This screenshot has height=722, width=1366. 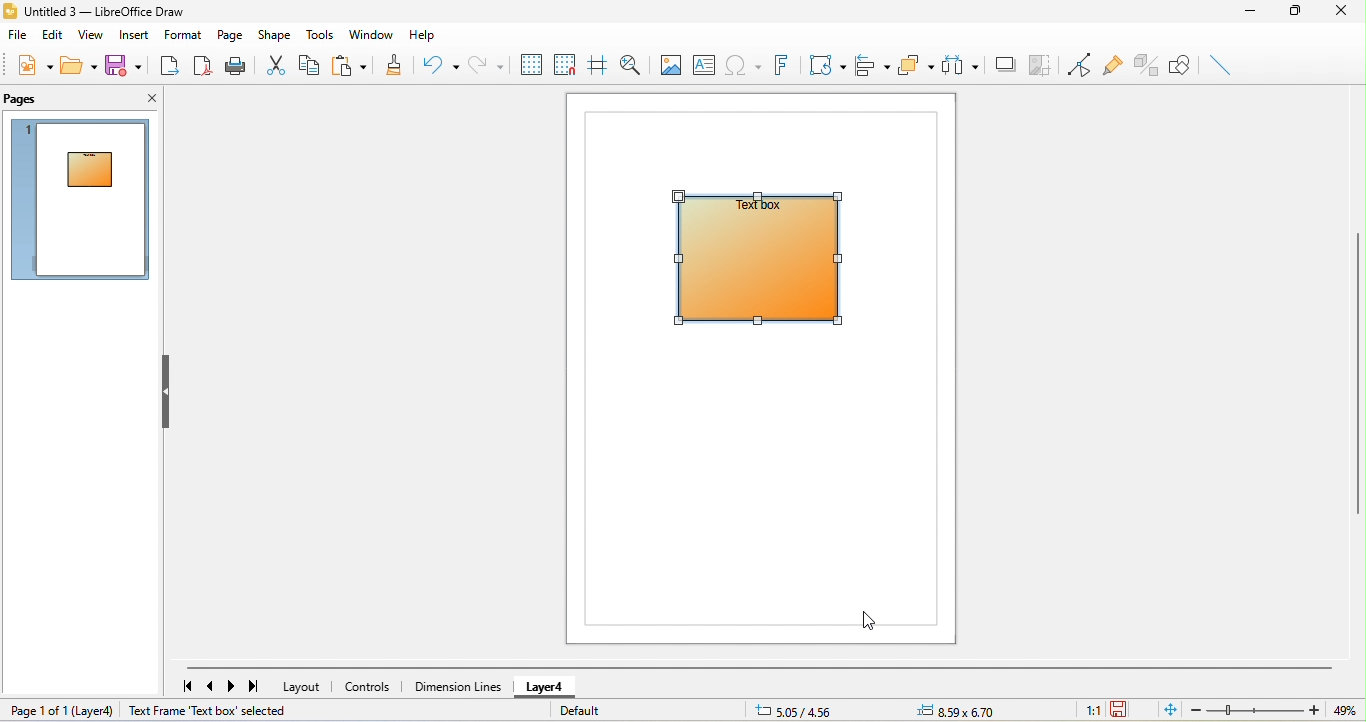 I want to click on file, so click(x=16, y=34).